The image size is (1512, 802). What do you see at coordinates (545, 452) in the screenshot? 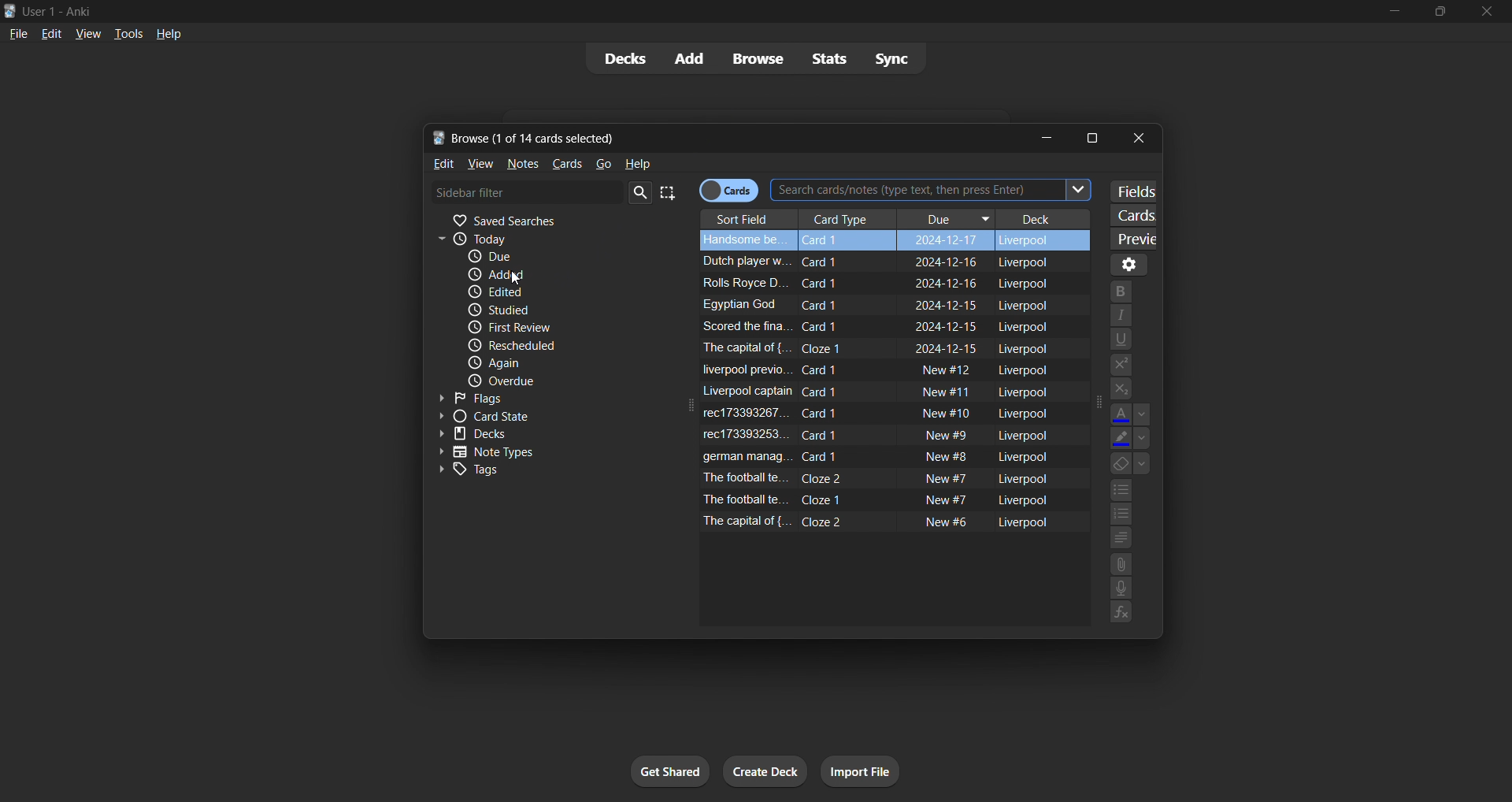
I see `note types filter toggle` at bounding box center [545, 452].